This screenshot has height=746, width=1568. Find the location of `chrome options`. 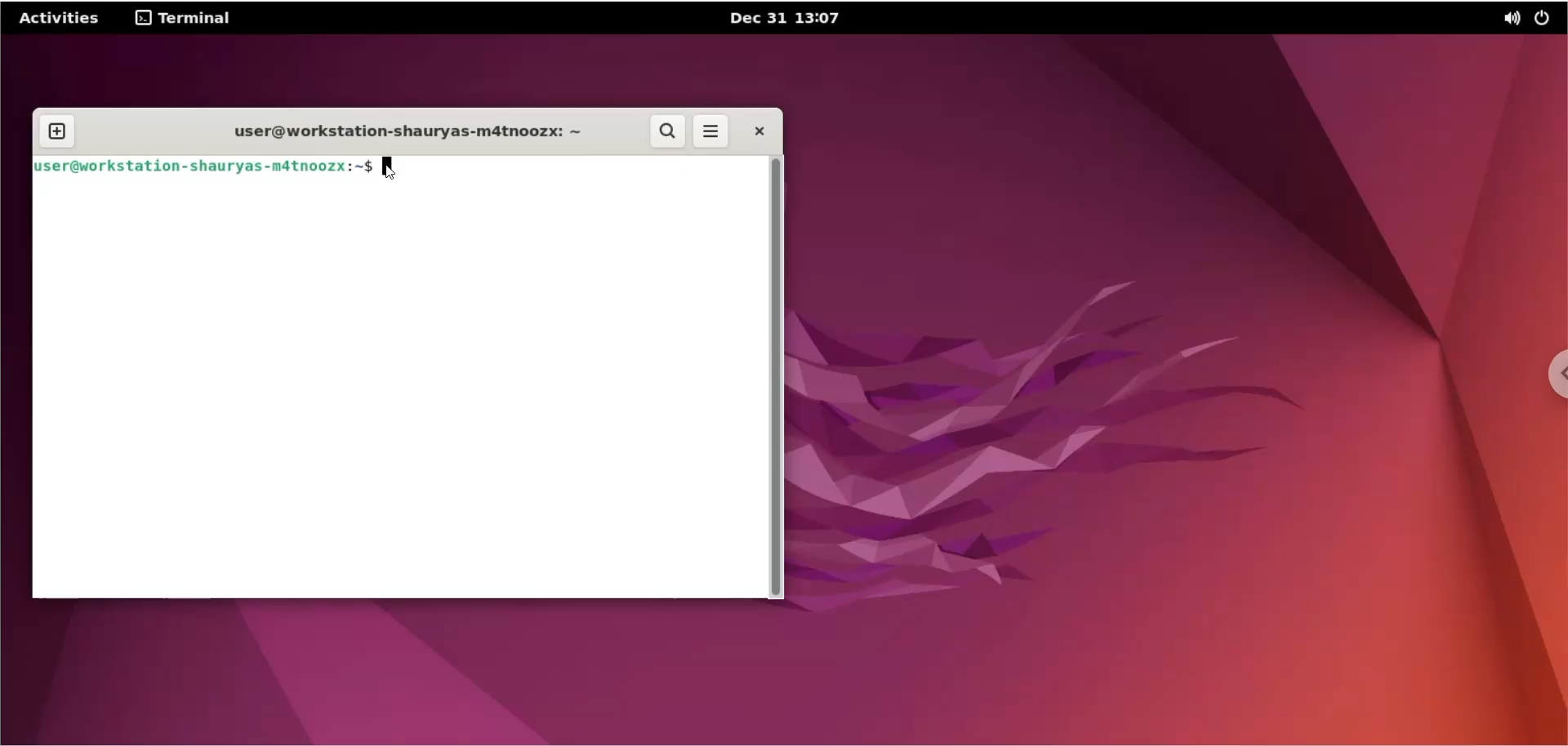

chrome options is located at coordinates (1552, 381).